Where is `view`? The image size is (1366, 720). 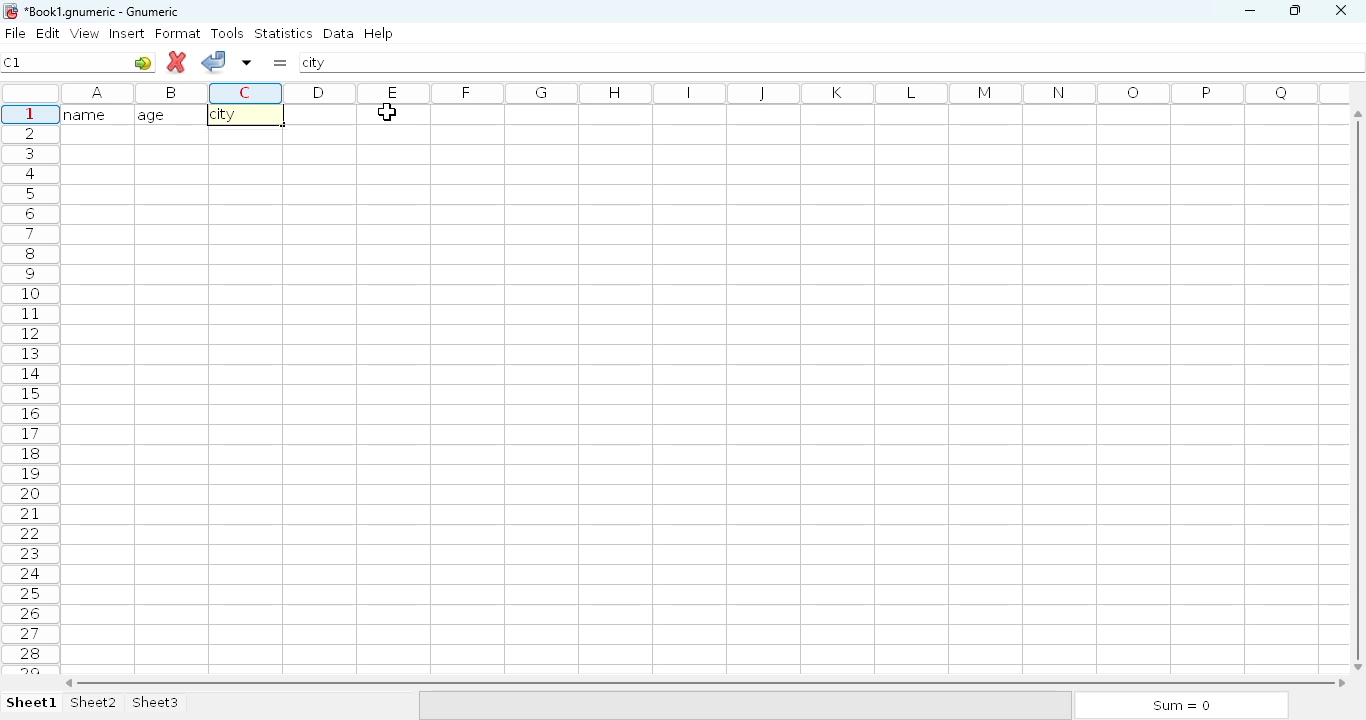
view is located at coordinates (85, 33).